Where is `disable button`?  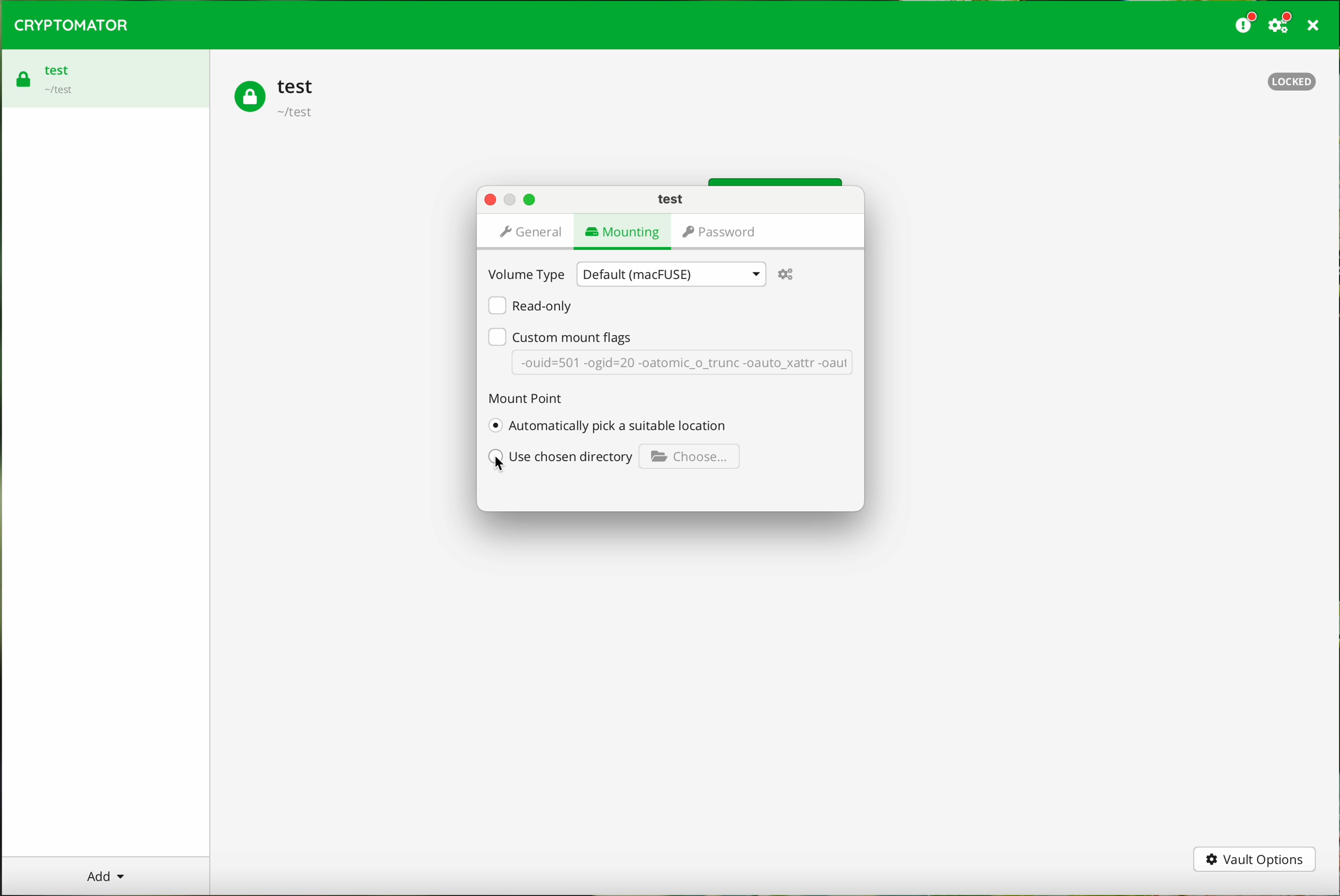 disable button is located at coordinates (511, 201).